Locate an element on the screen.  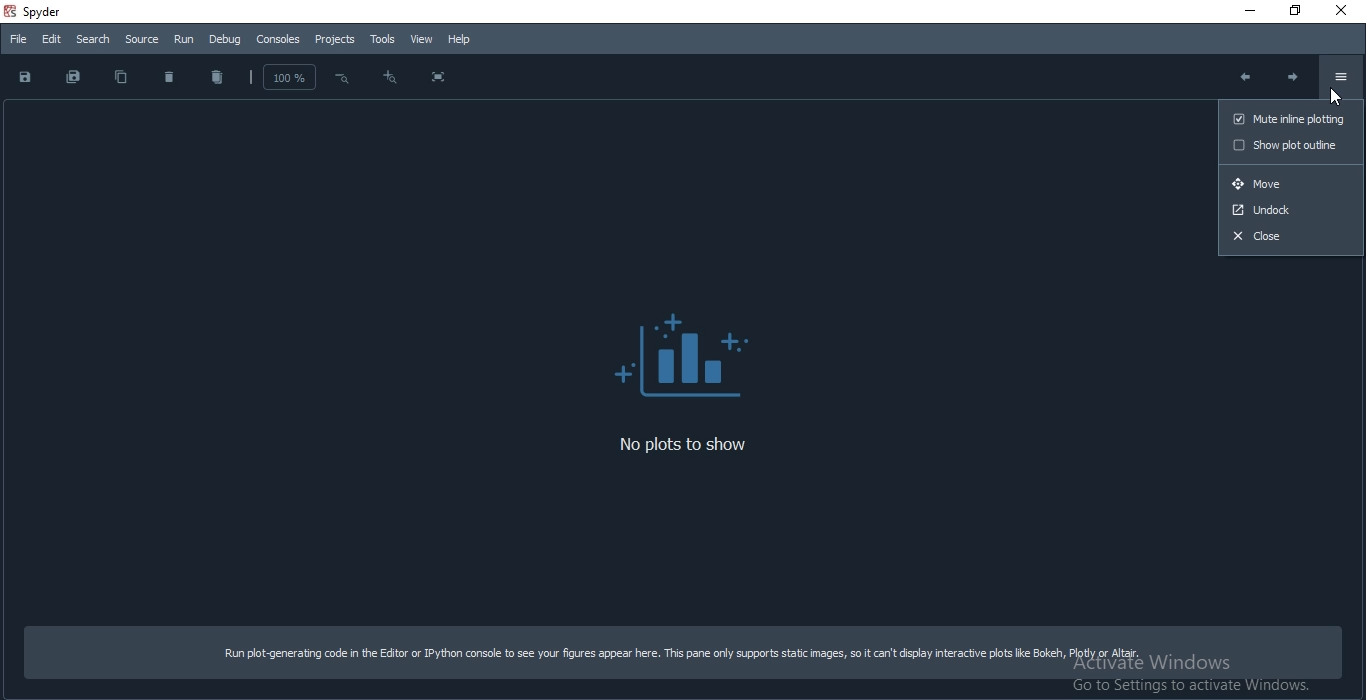
Next plot is located at coordinates (1295, 80).